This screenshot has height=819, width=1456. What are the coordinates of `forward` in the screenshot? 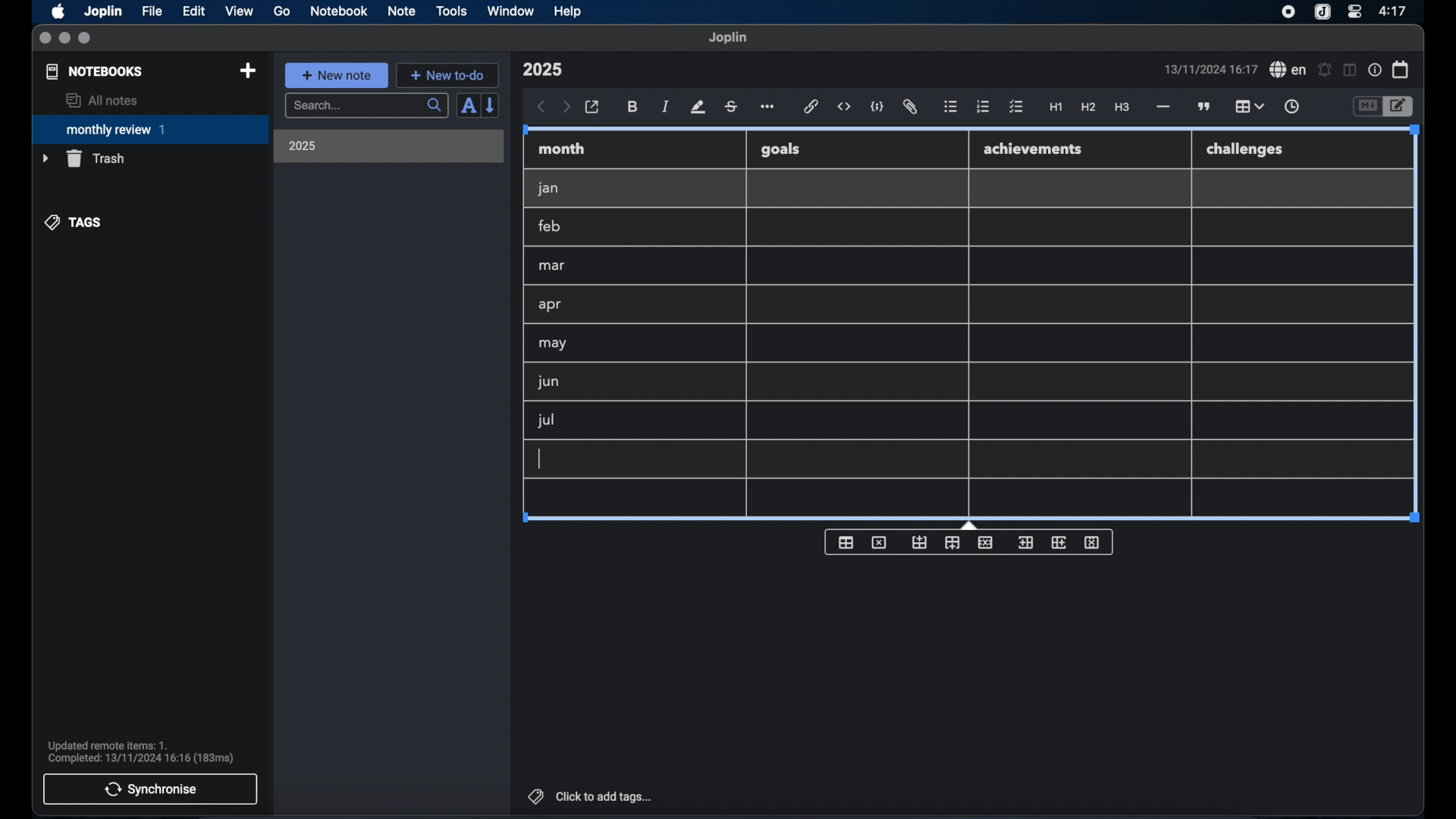 It's located at (566, 108).